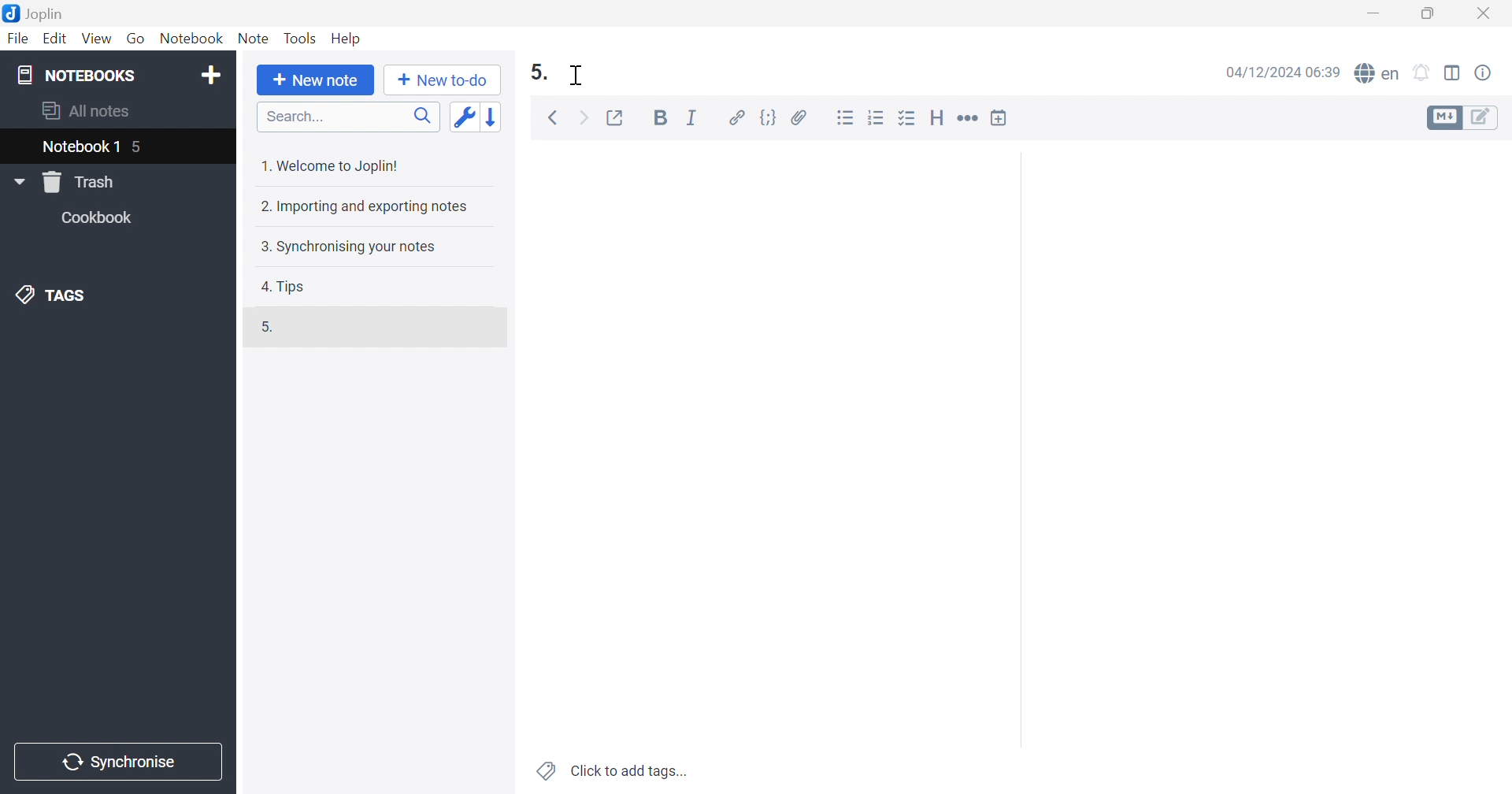  I want to click on Italic, so click(691, 117).